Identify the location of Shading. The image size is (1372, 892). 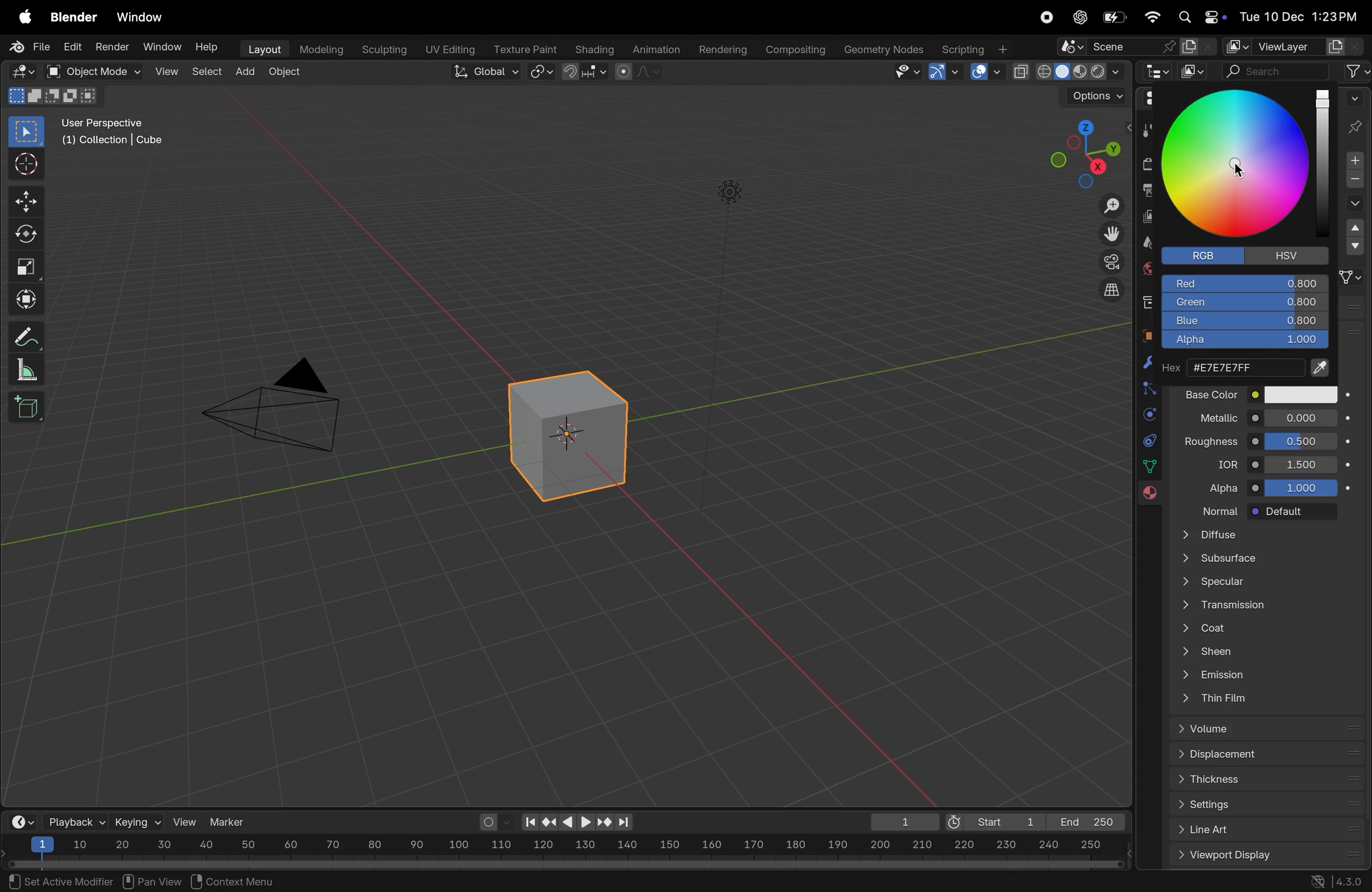
(594, 49).